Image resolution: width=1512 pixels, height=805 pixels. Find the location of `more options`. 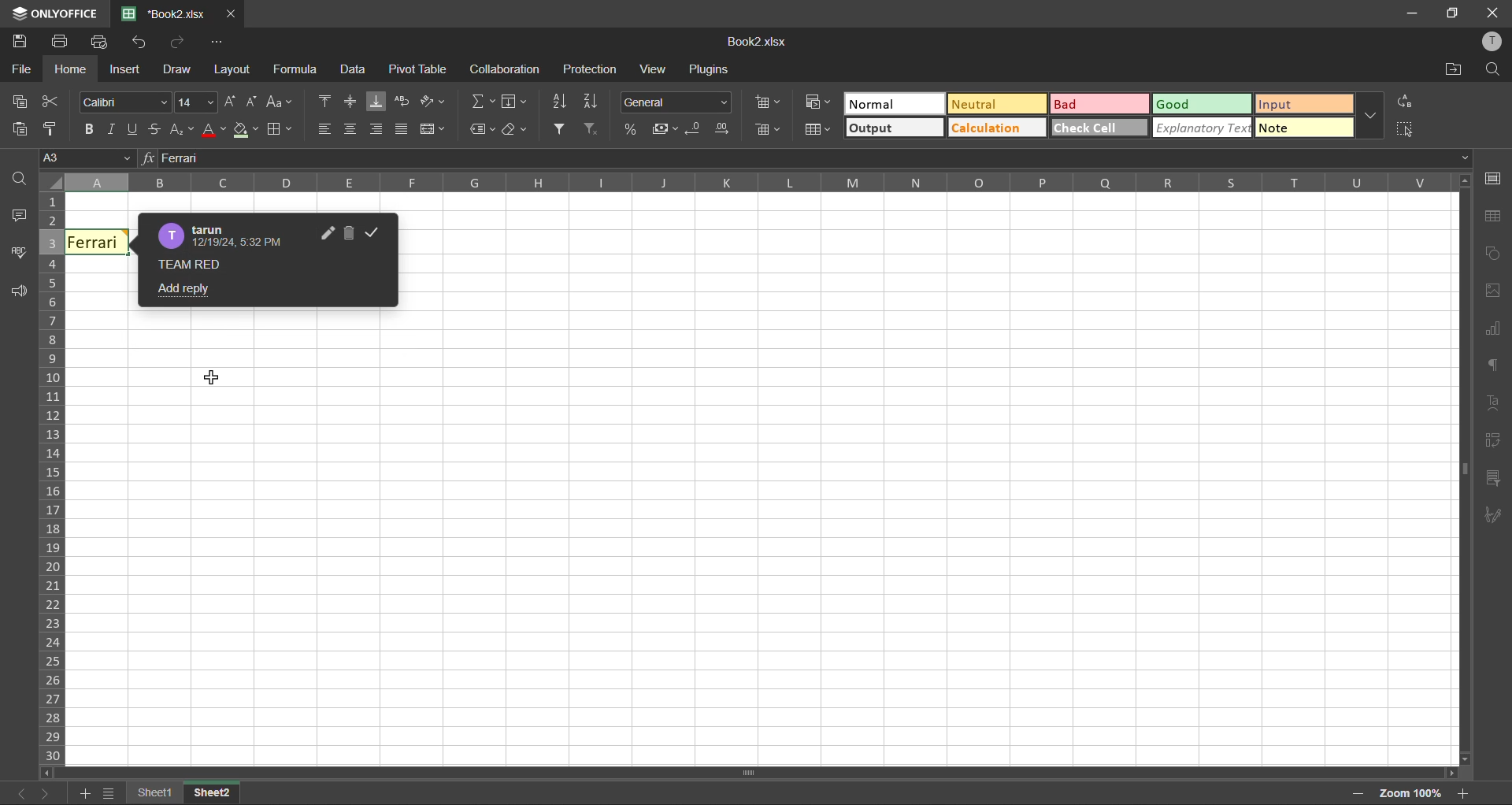

more options is located at coordinates (1366, 116).